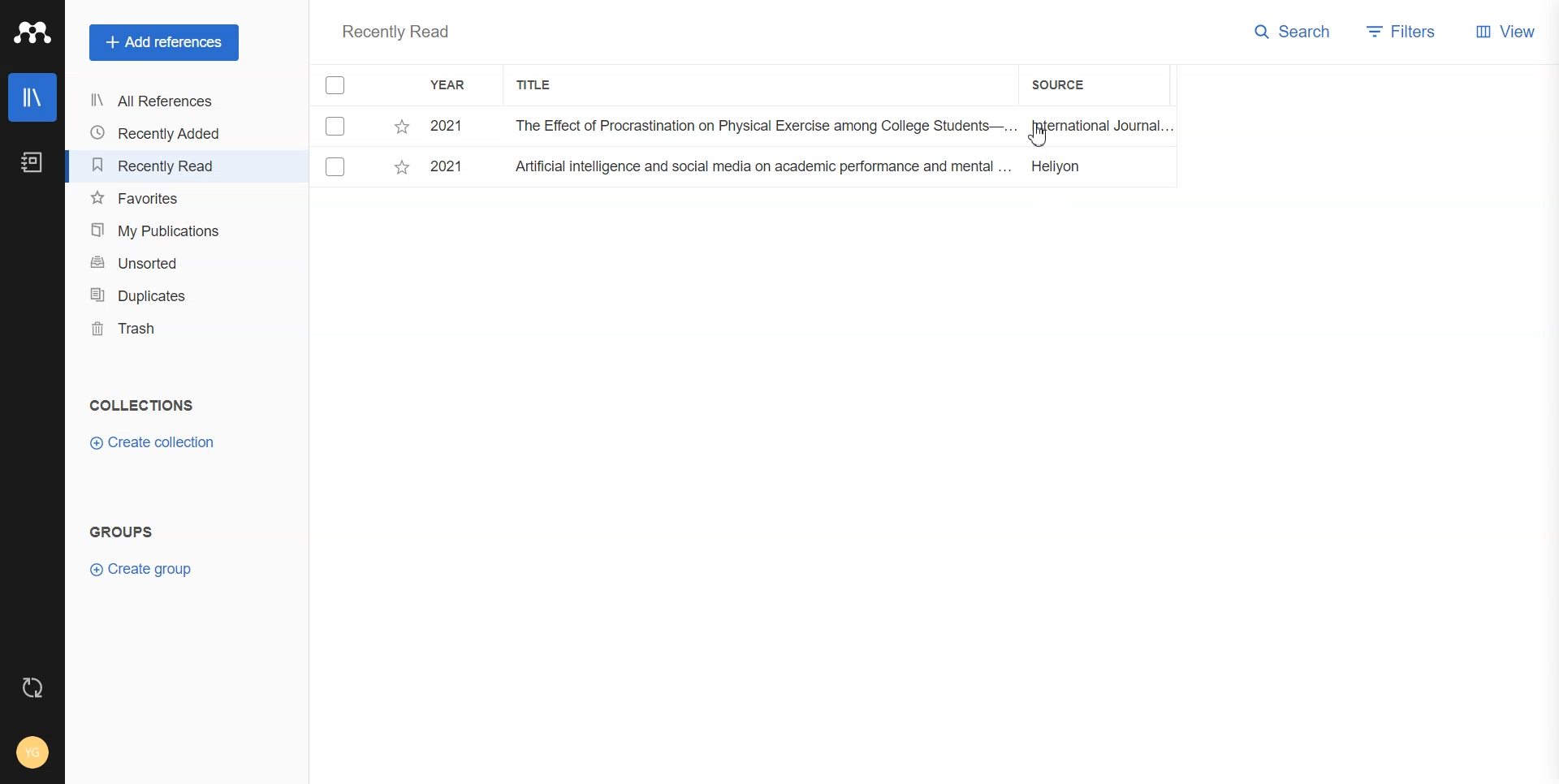  What do you see at coordinates (30, 163) in the screenshot?
I see `Notebook` at bounding box center [30, 163].